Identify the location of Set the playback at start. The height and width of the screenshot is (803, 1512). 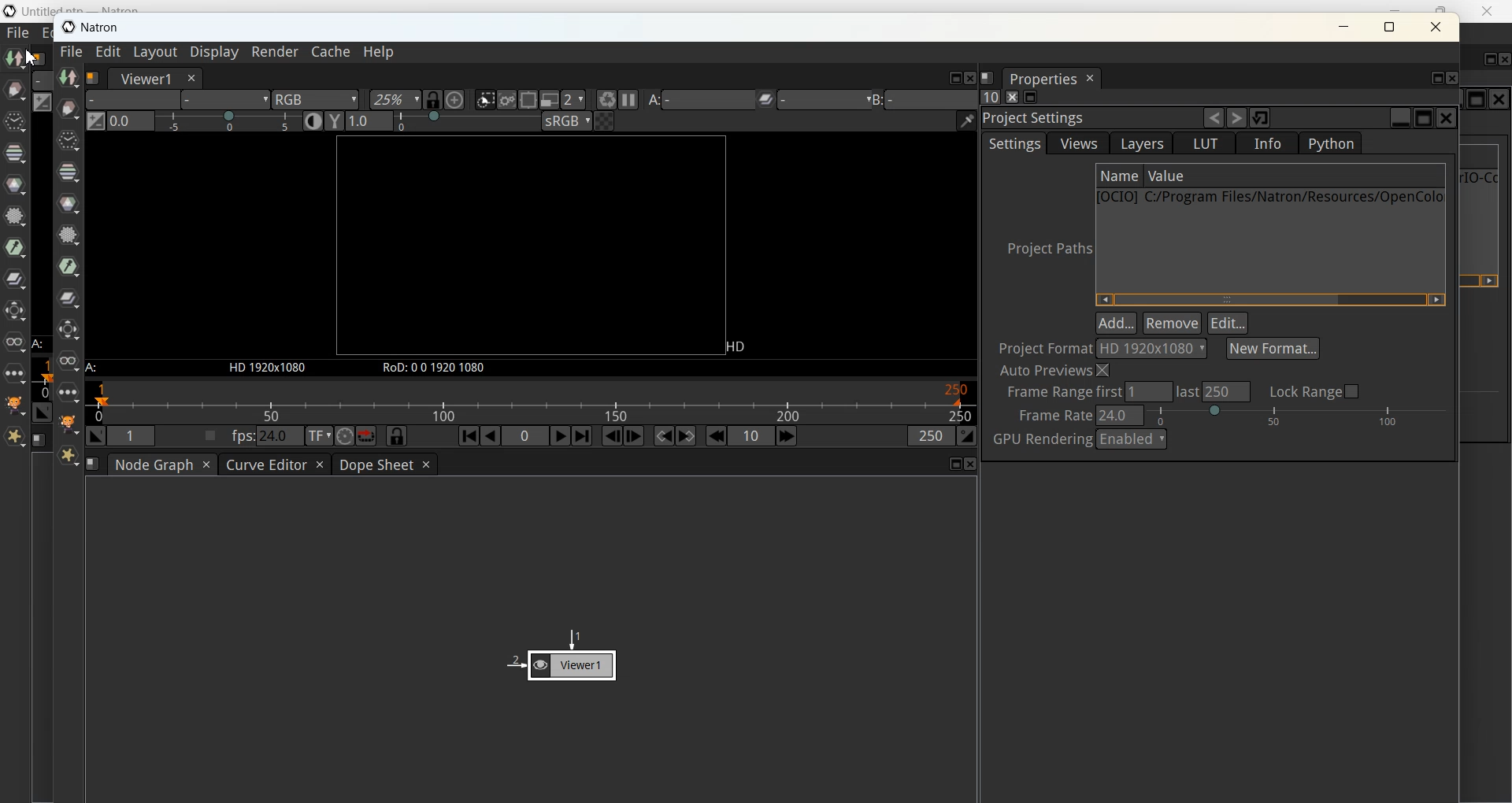
(43, 412).